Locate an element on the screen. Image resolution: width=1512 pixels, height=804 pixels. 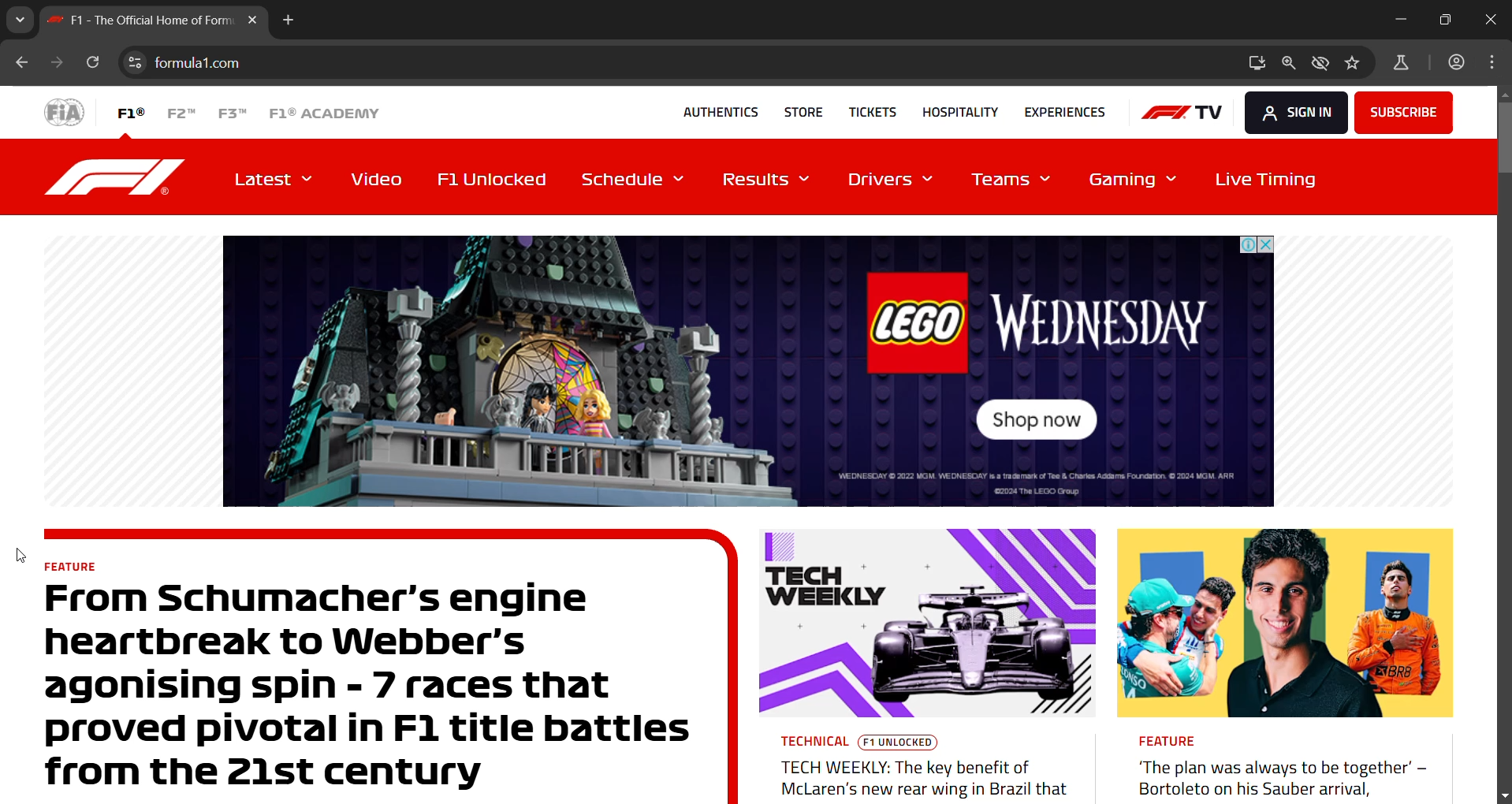
Teams is located at coordinates (1015, 183).